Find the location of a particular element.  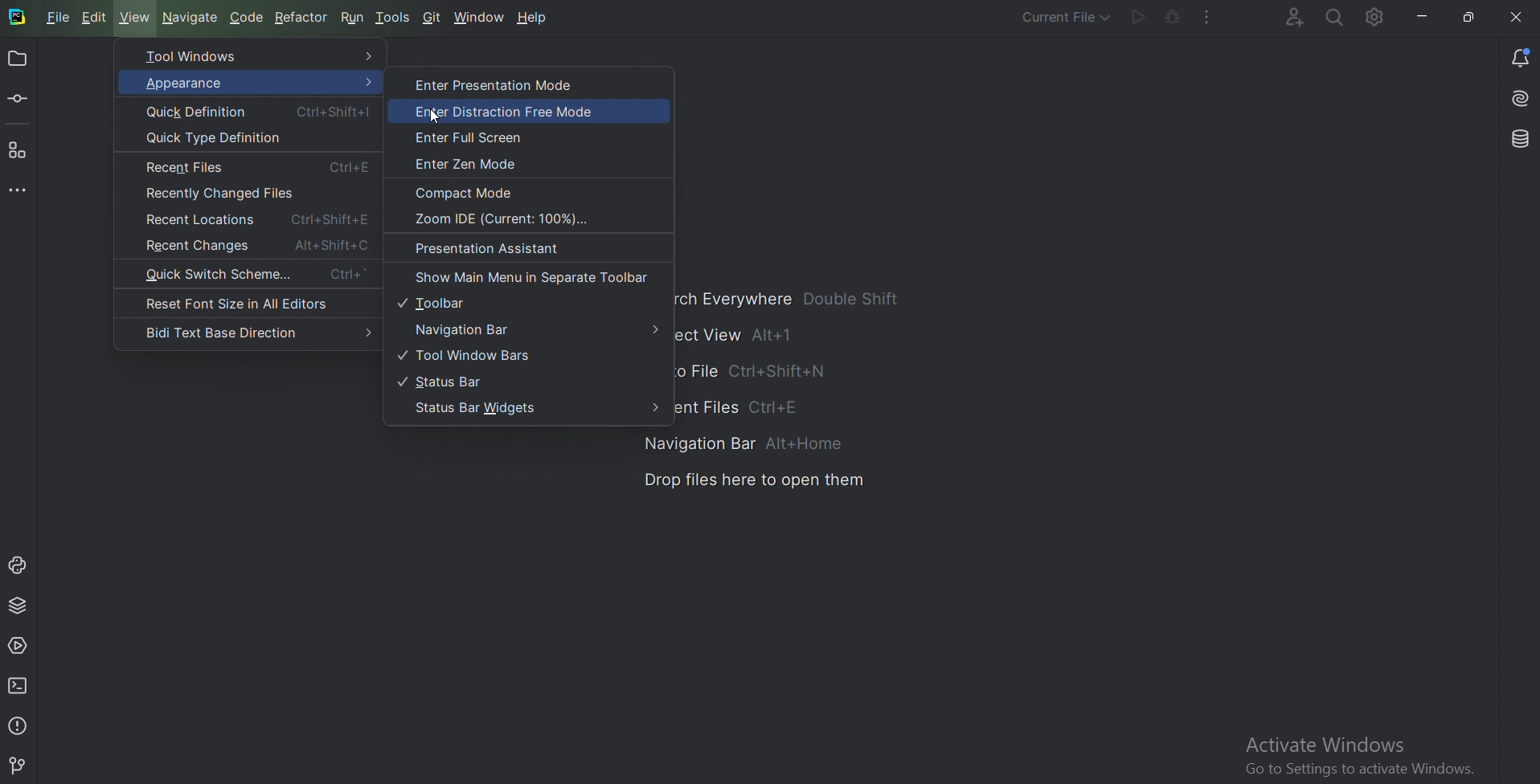

Navigation bar is located at coordinates (747, 442).